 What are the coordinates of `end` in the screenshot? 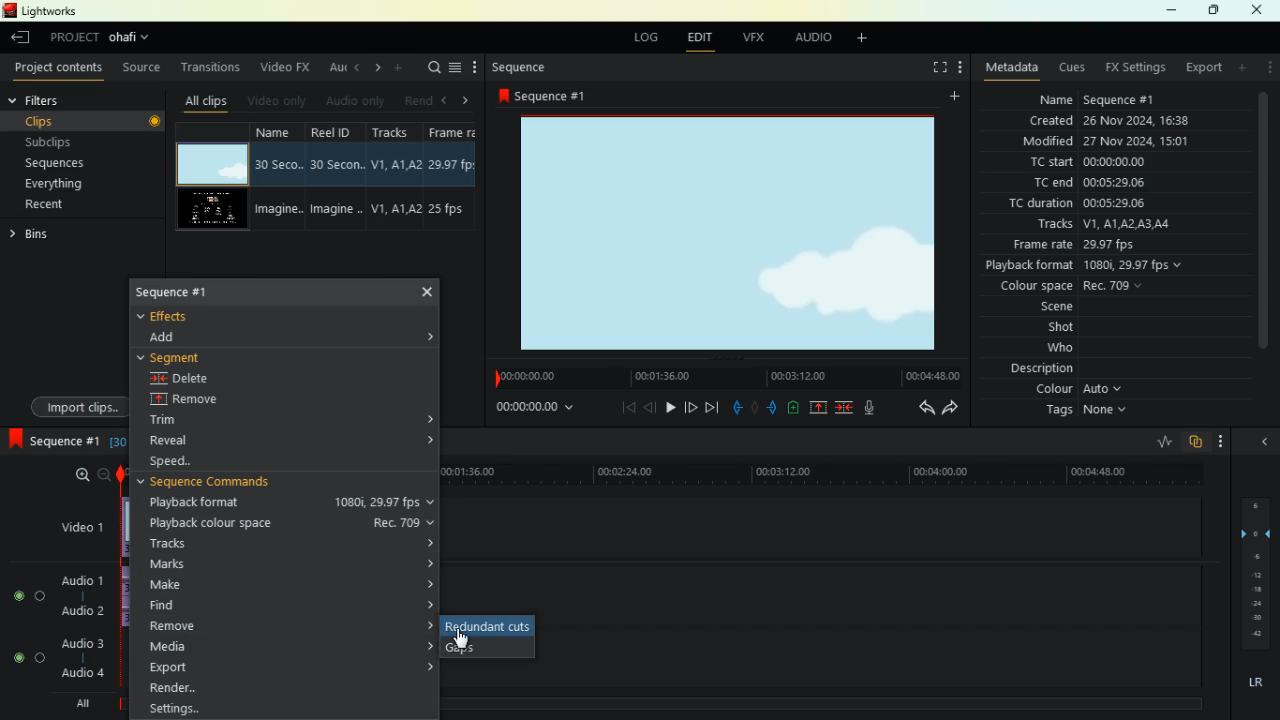 It's located at (712, 406).